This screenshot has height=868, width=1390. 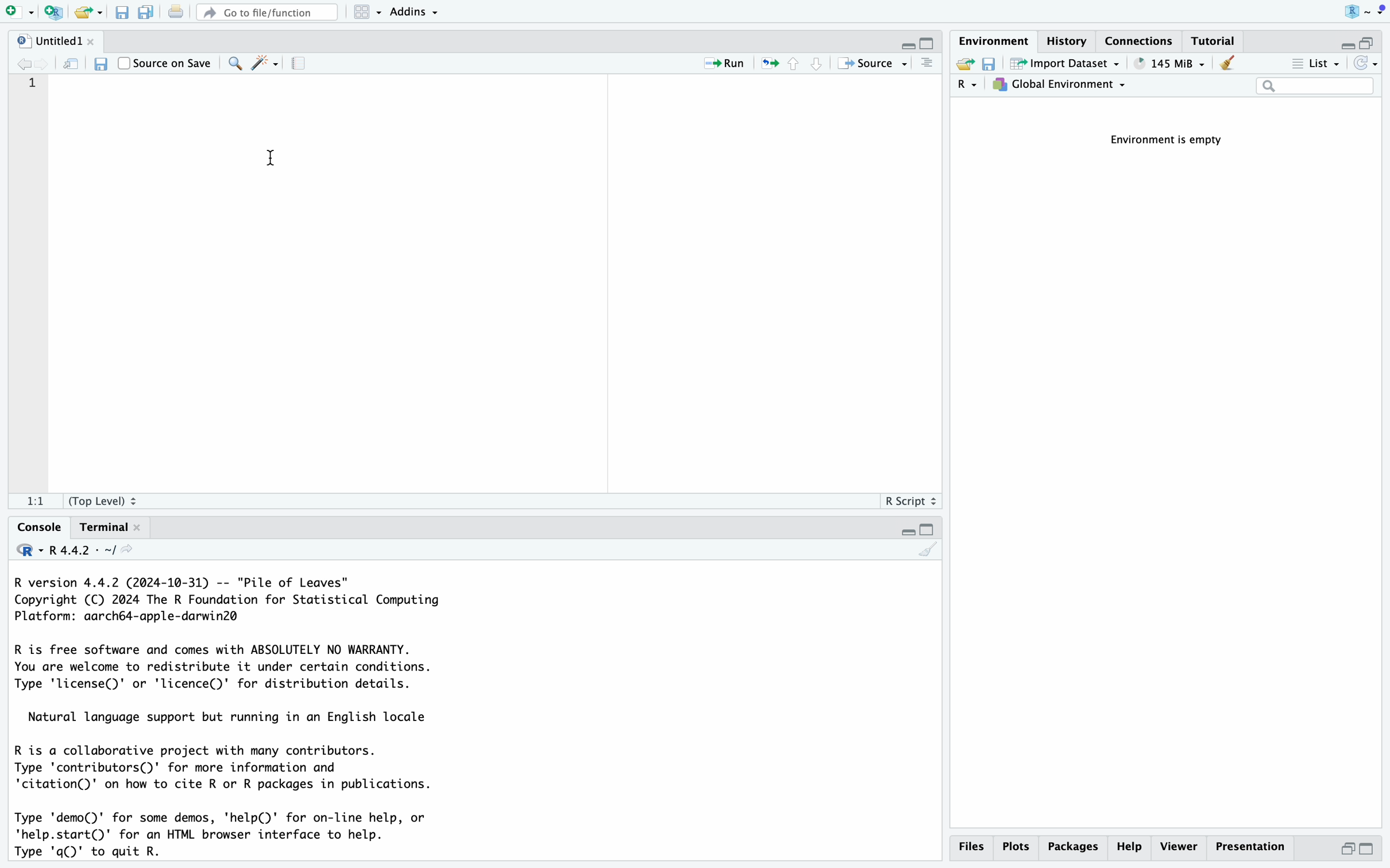 What do you see at coordinates (1071, 40) in the screenshot?
I see `history` at bounding box center [1071, 40].